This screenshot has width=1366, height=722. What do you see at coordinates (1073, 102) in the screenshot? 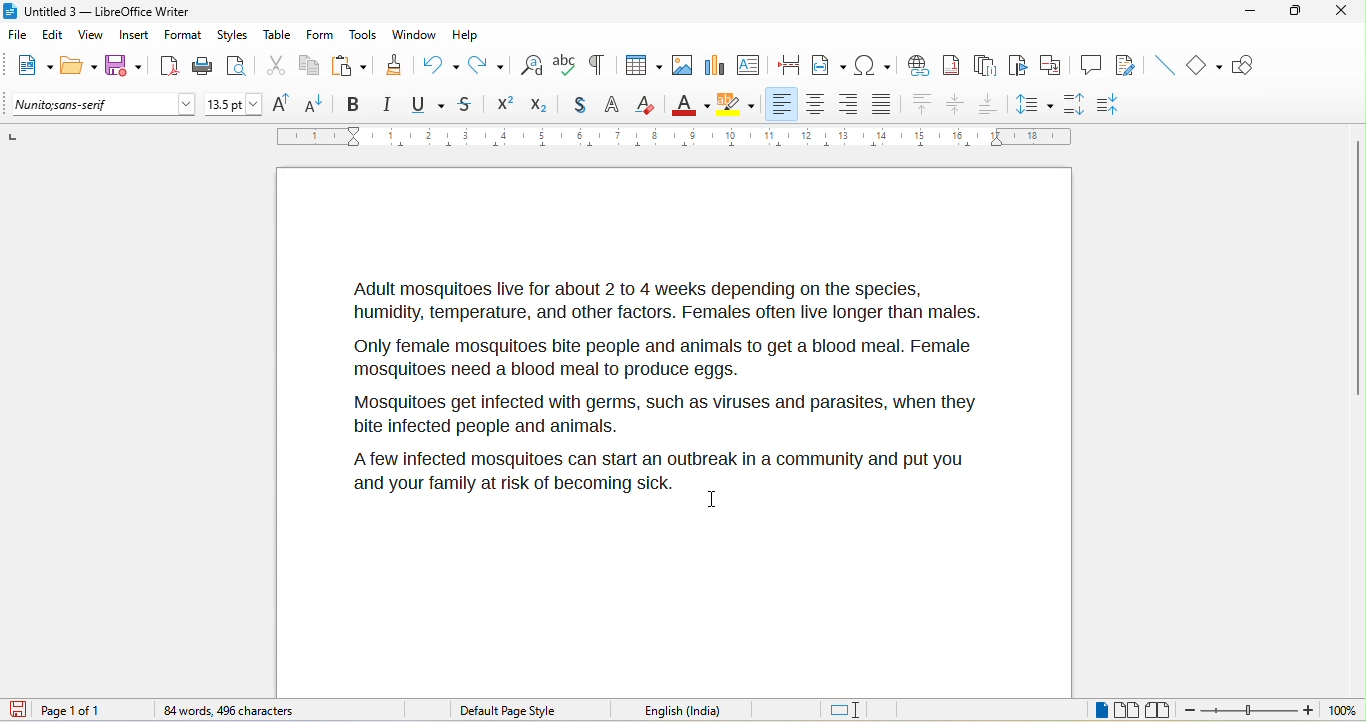
I see `increase paragraph spacing` at bounding box center [1073, 102].